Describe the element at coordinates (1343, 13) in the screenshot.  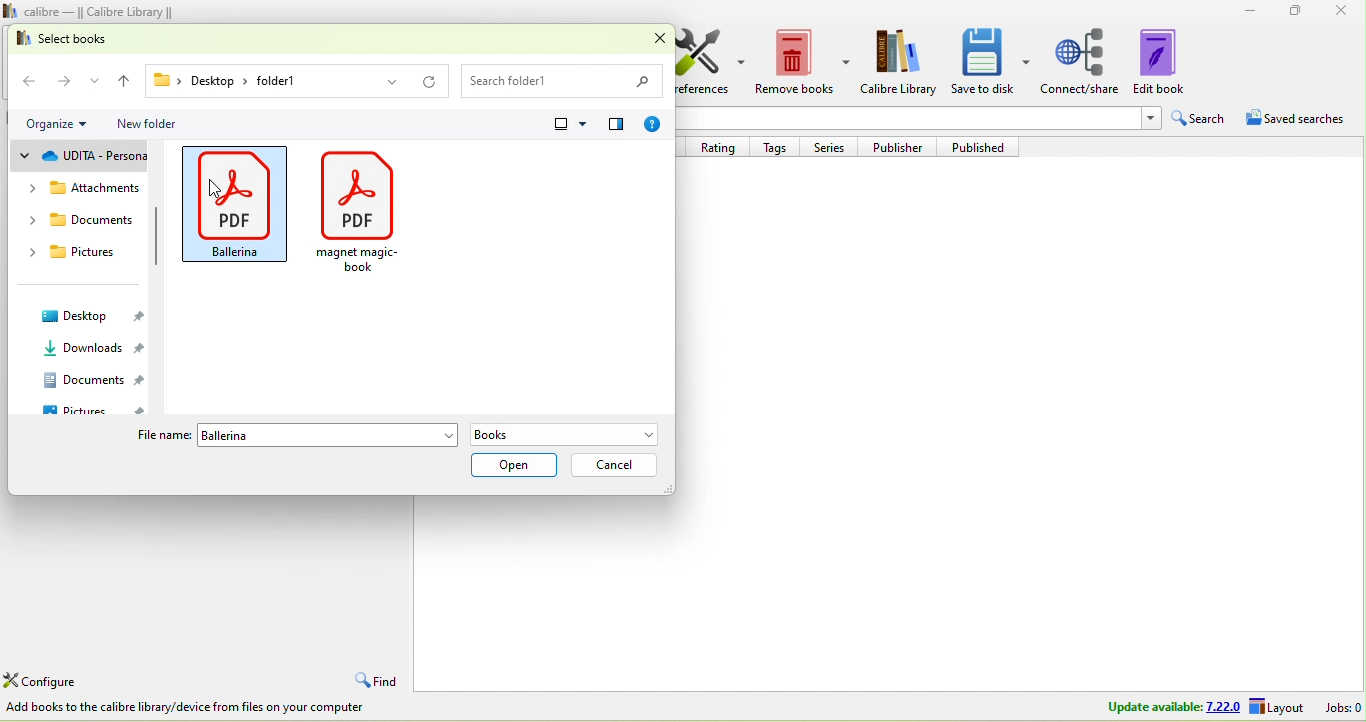
I see `close` at that location.